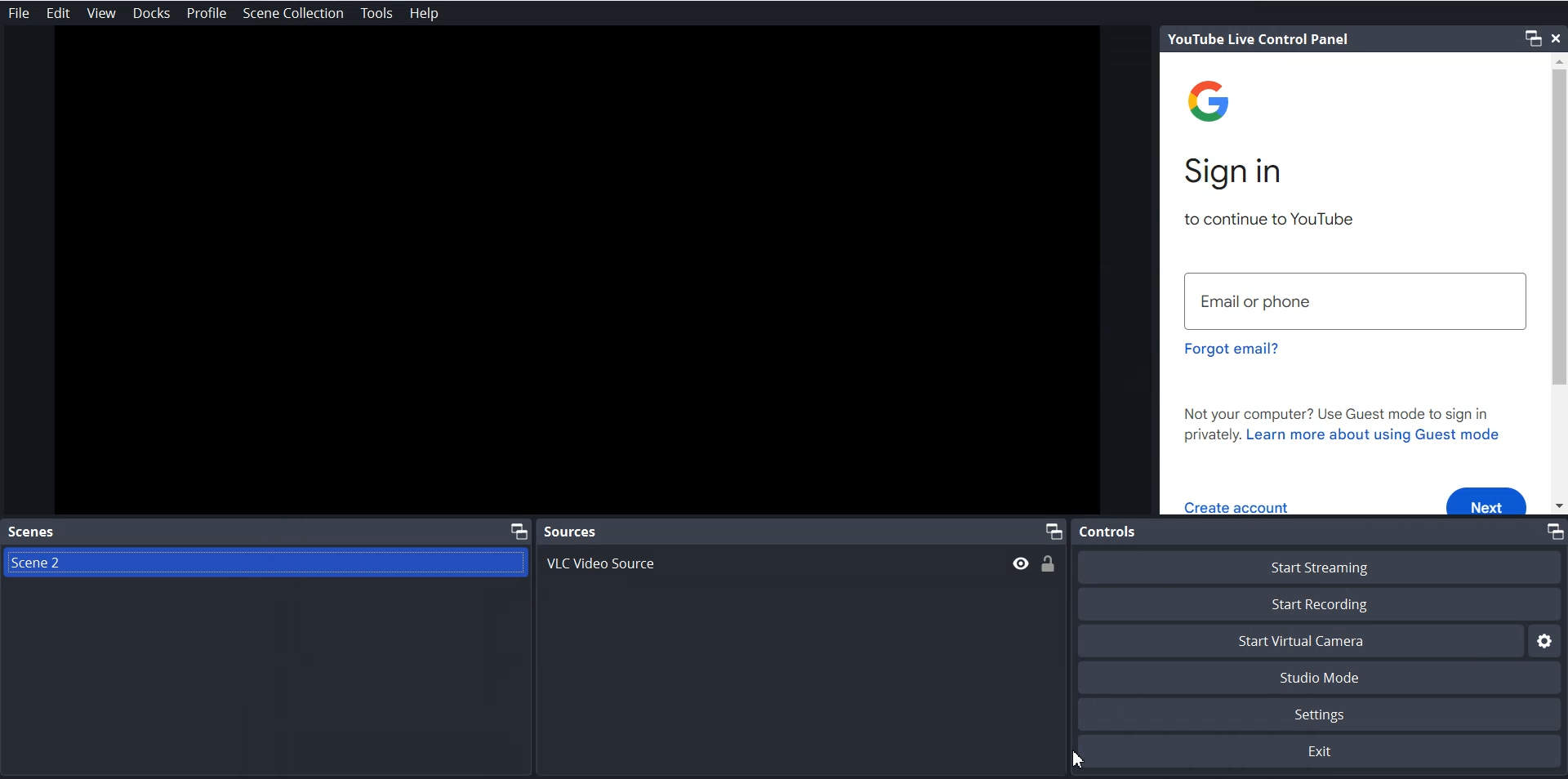  What do you see at coordinates (1322, 714) in the screenshot?
I see `Settings` at bounding box center [1322, 714].